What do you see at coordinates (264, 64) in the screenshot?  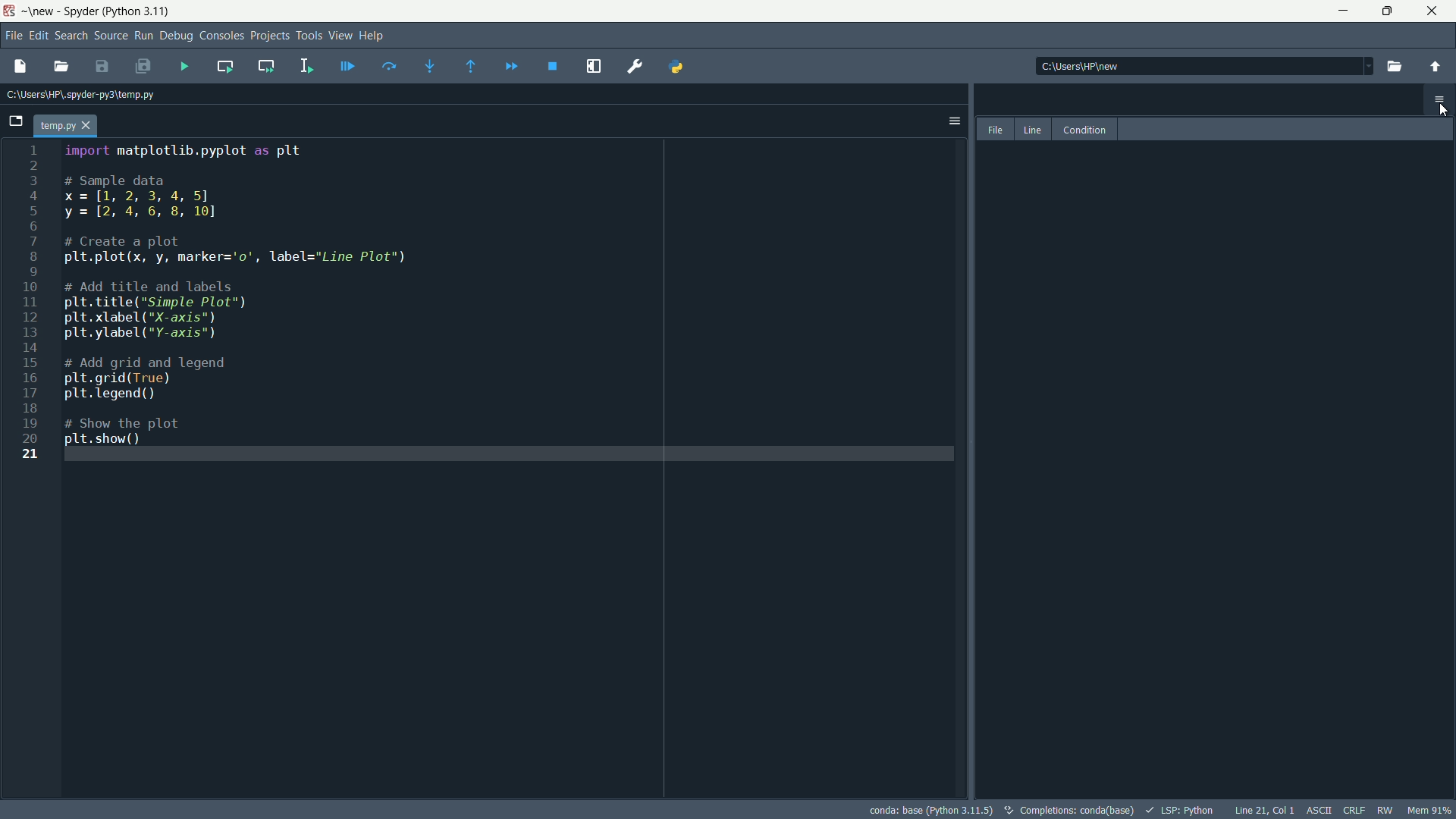 I see `run current cell and go to next one` at bounding box center [264, 64].